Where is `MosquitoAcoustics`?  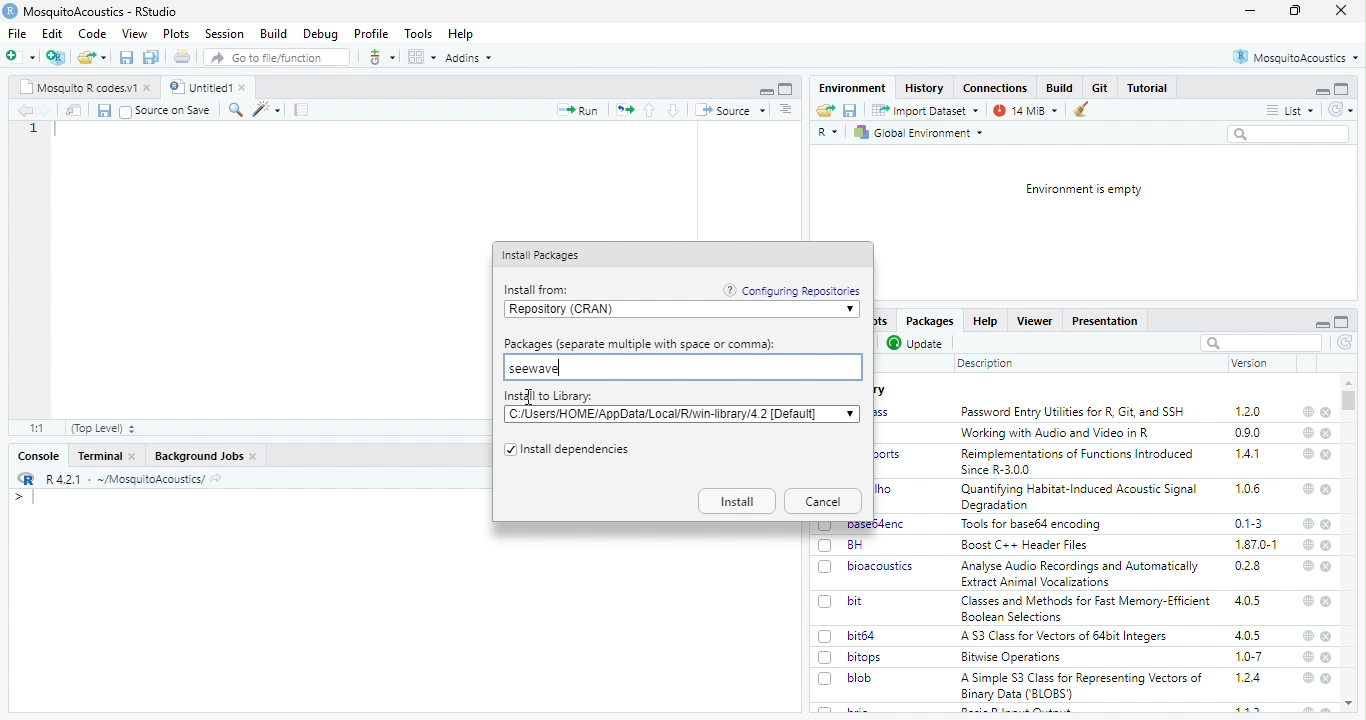 MosquitoAcoustics is located at coordinates (1295, 57).